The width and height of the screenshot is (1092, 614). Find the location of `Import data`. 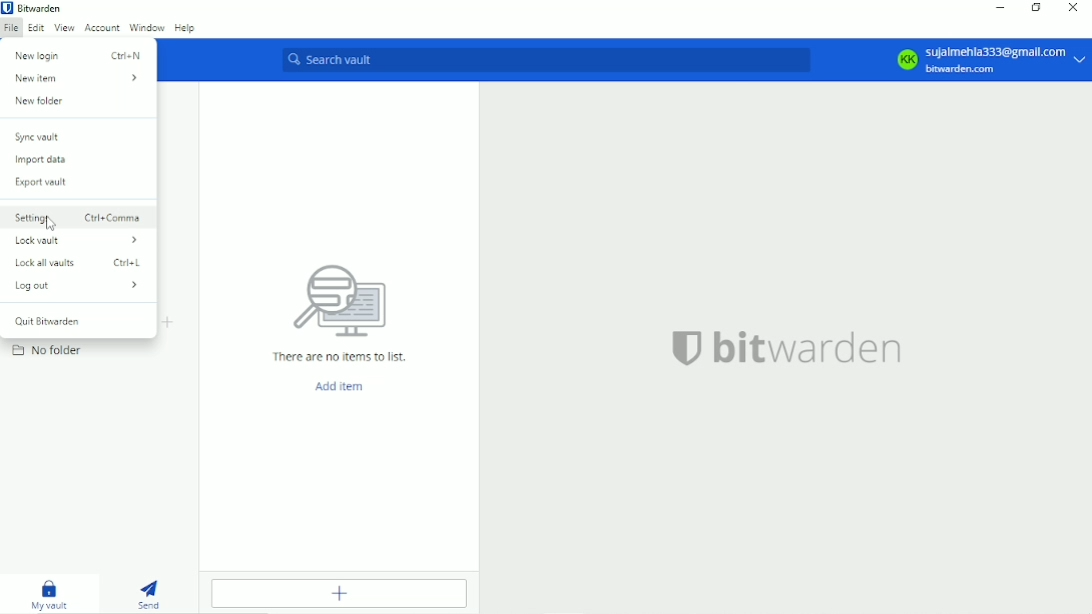

Import data is located at coordinates (43, 160).